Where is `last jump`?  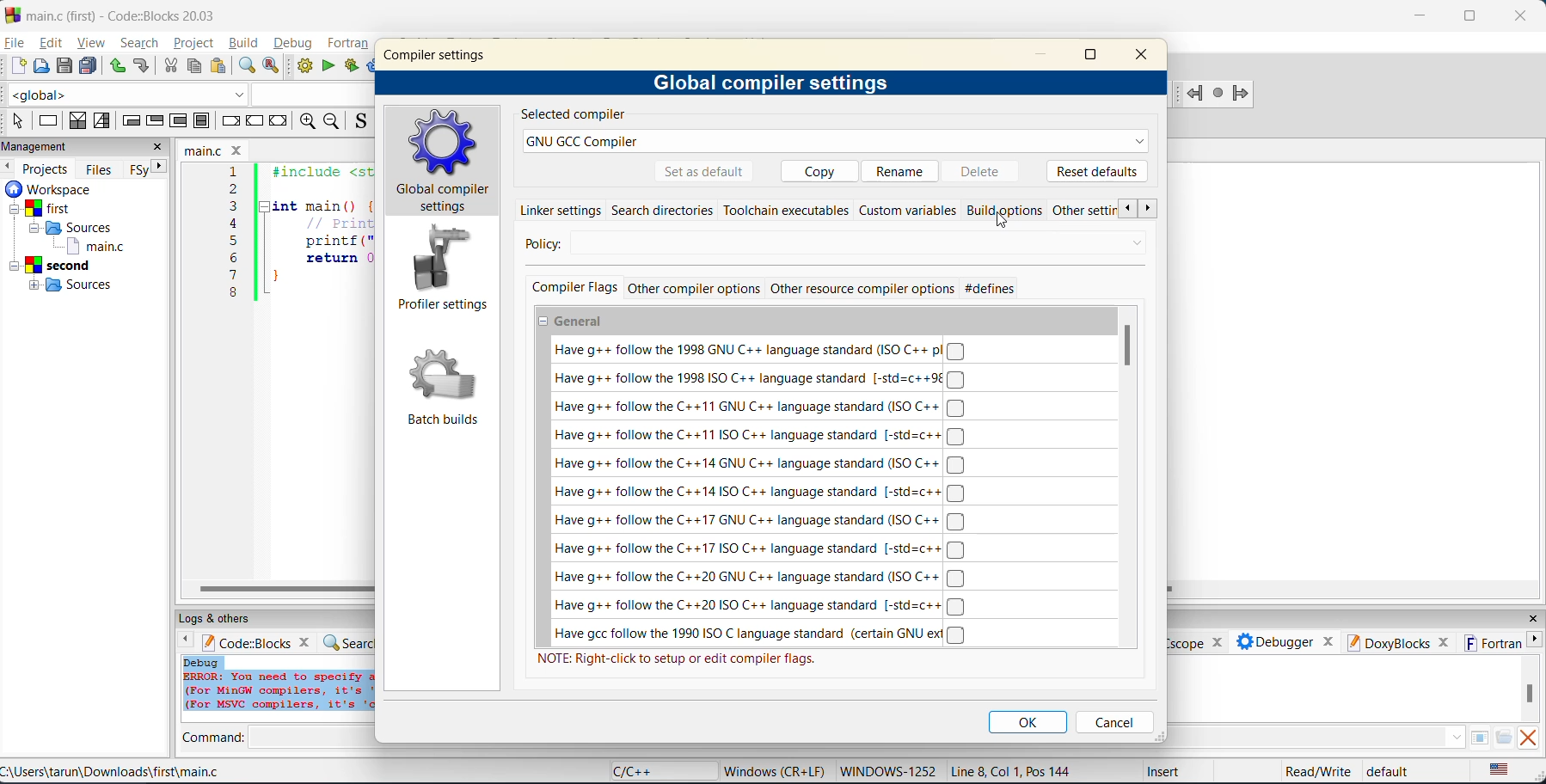
last jump is located at coordinates (1218, 95).